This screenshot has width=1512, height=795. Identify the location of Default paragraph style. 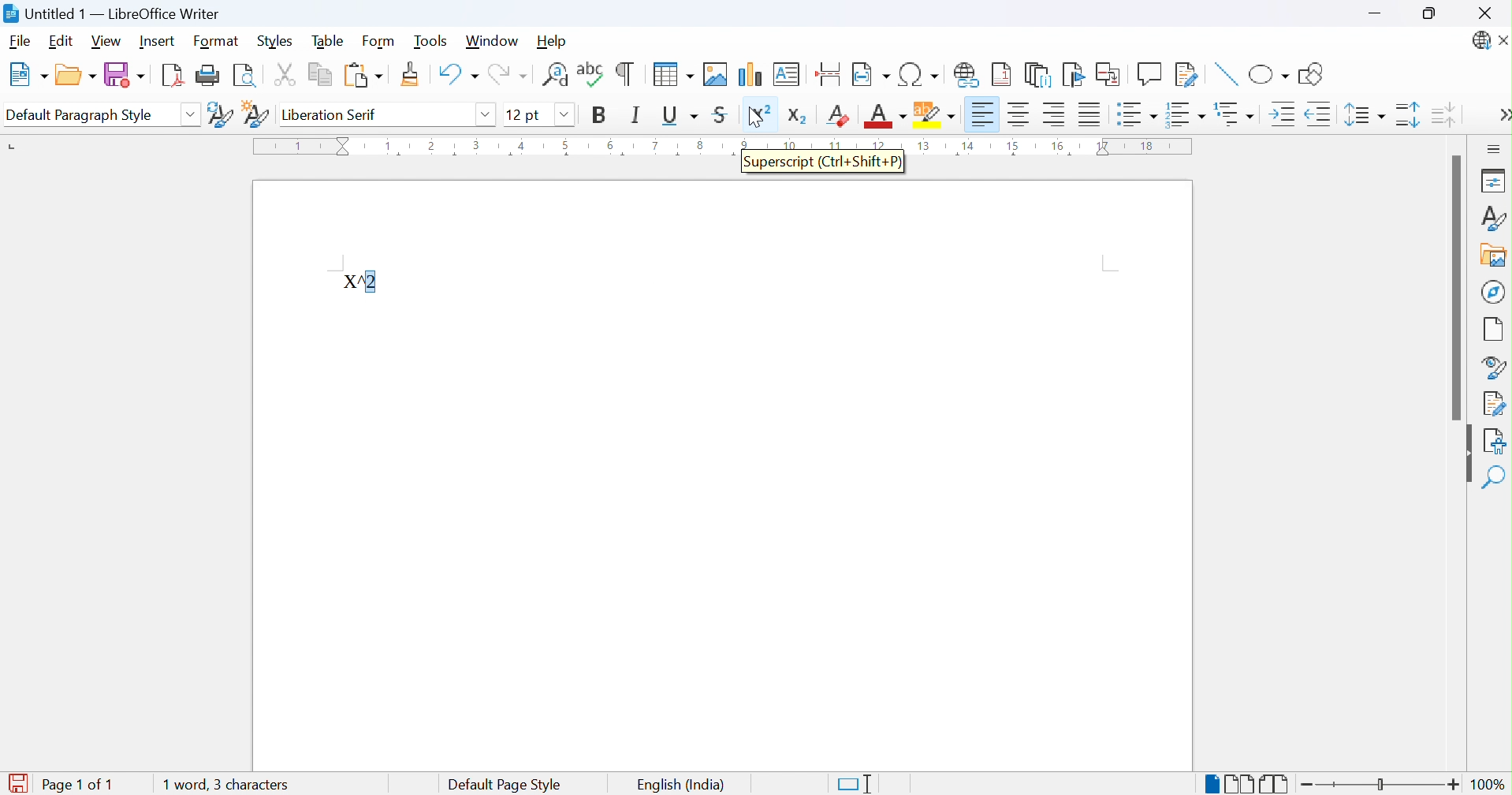
(81, 116).